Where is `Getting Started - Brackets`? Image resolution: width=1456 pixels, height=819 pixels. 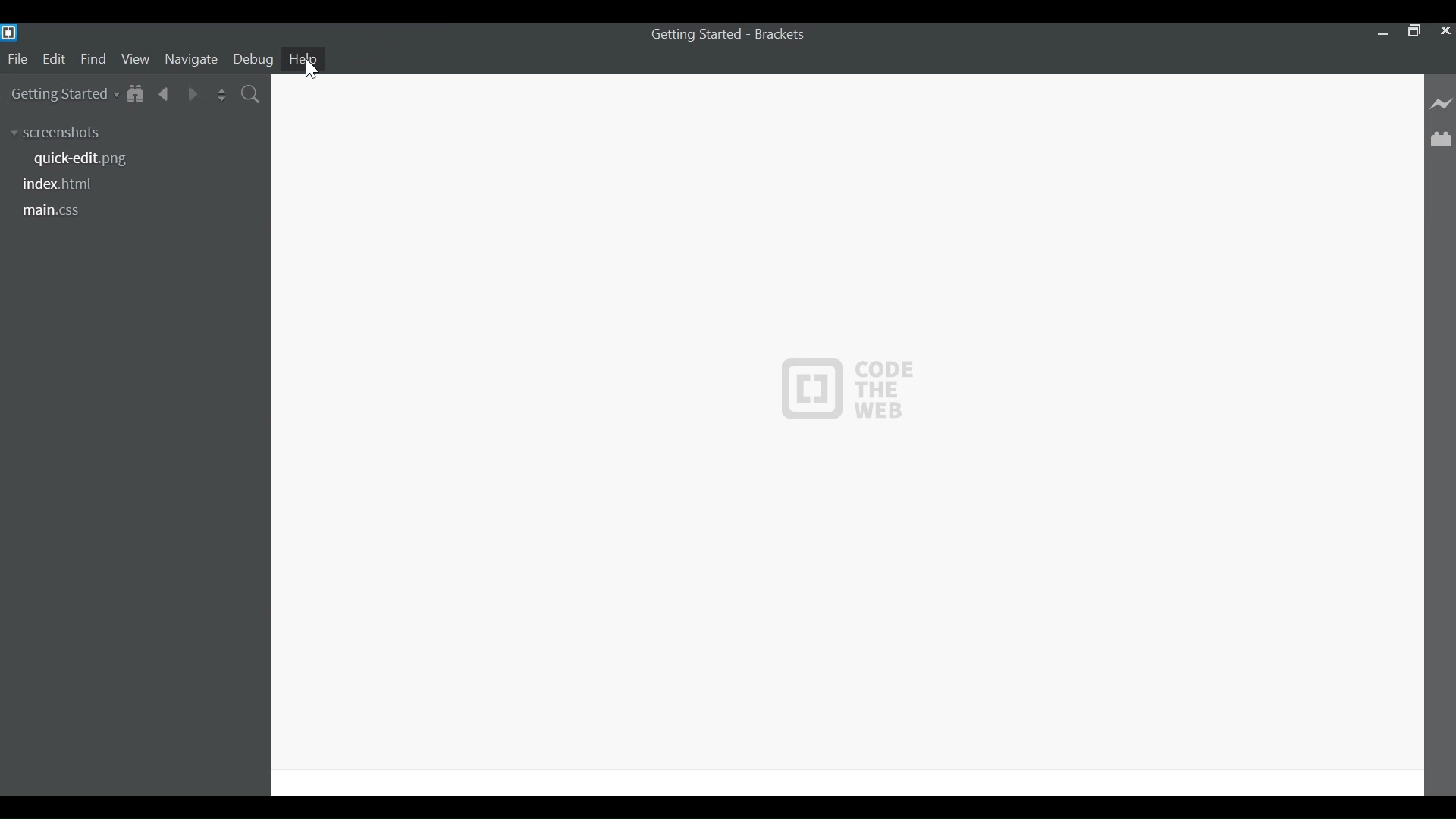
Getting Started - Brackets is located at coordinates (730, 37).